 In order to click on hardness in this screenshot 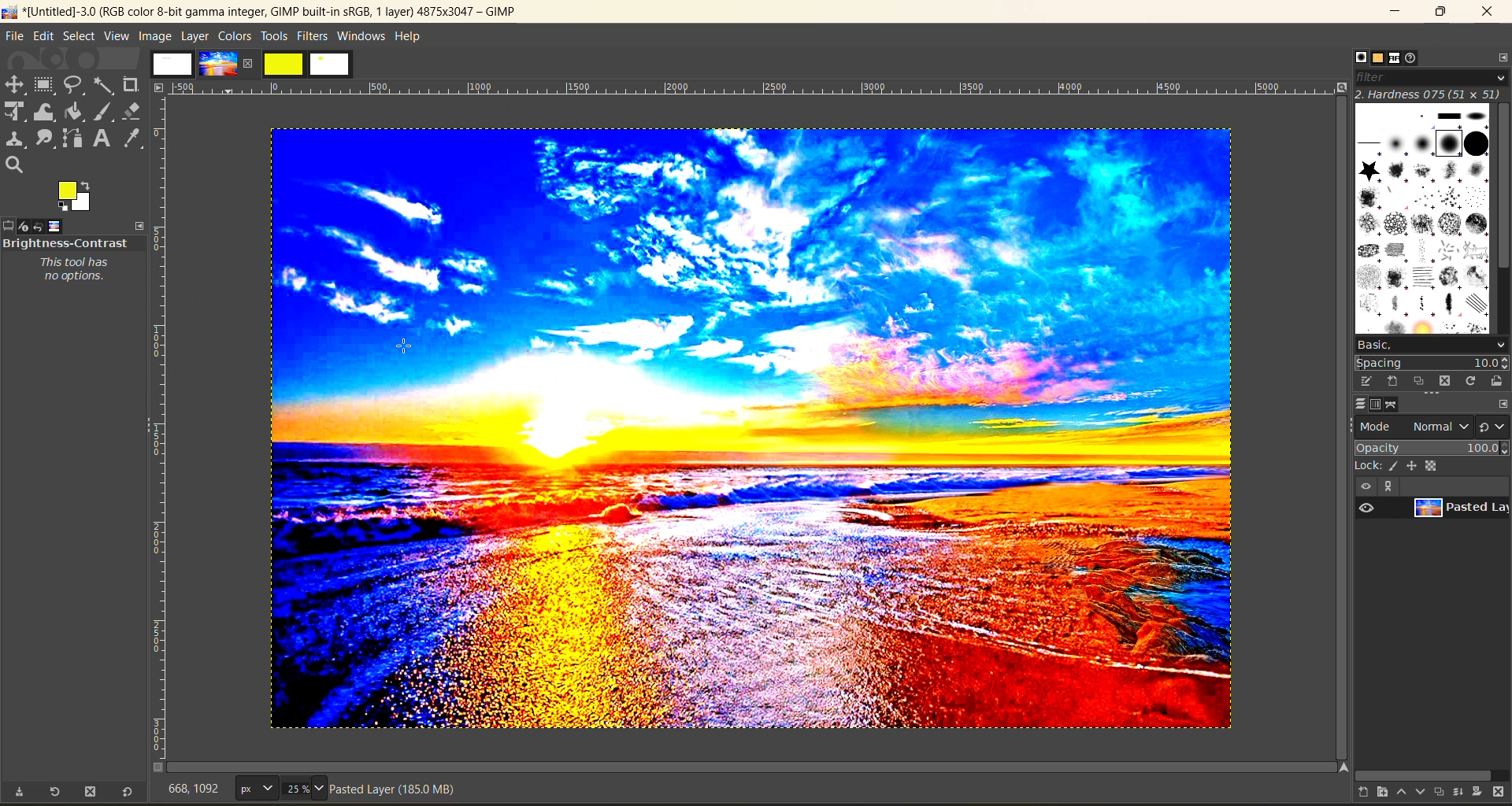, I will do `click(1431, 94)`.